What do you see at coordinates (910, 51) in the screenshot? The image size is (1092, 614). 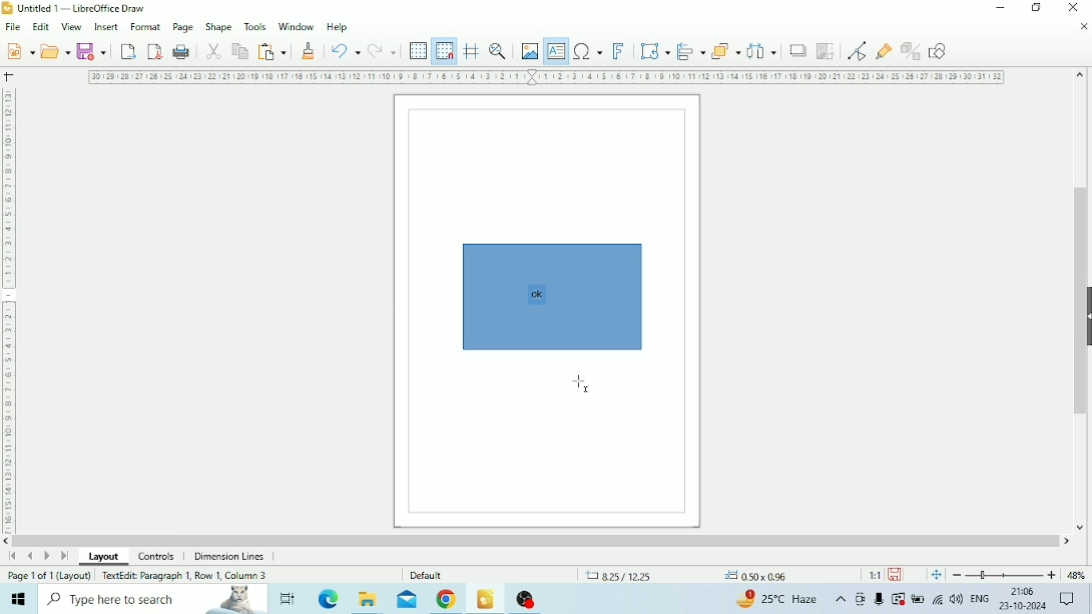 I see `Toggle Extrusion` at bounding box center [910, 51].